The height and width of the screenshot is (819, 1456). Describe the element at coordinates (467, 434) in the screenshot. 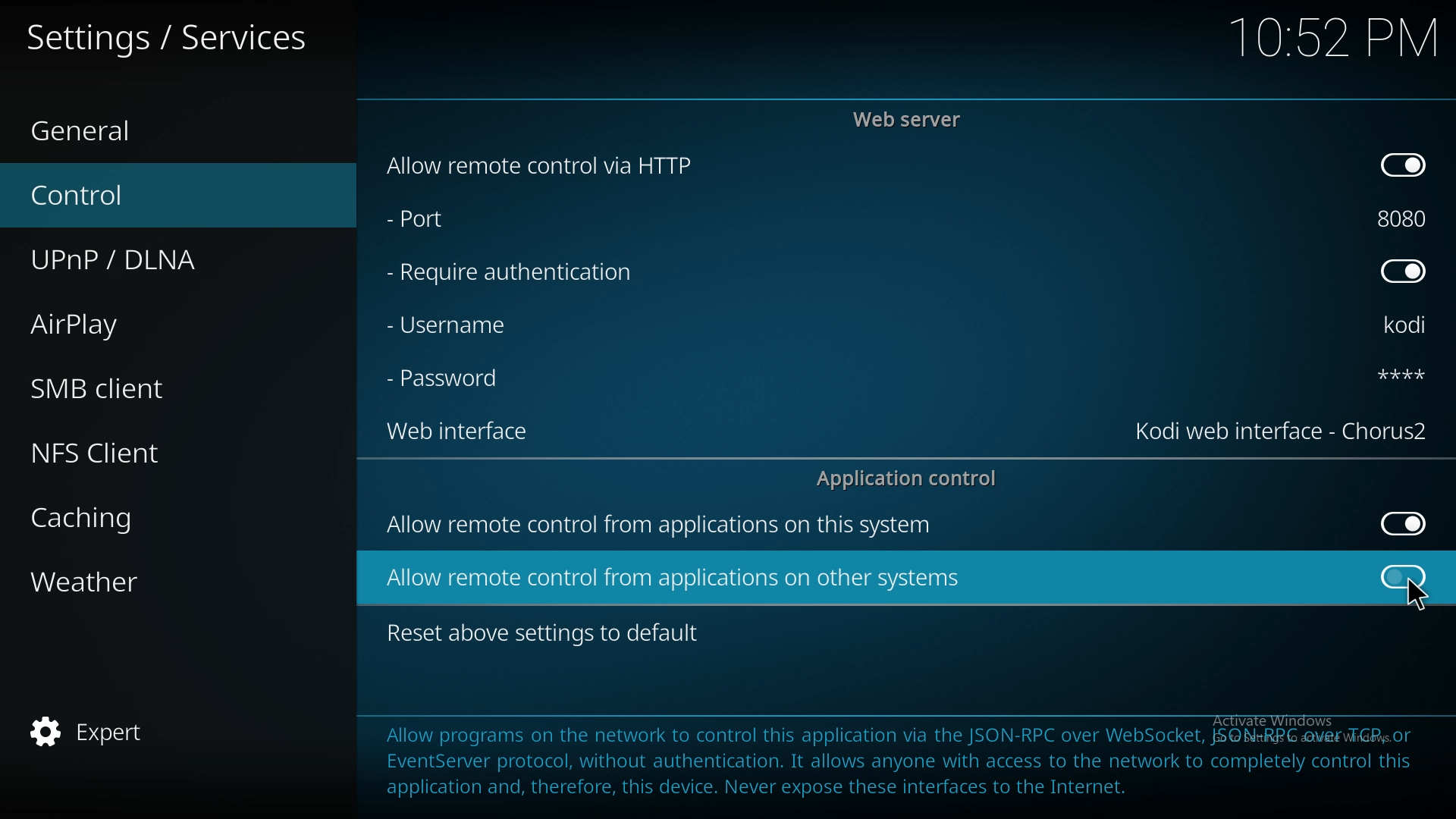

I see `web interface` at that location.